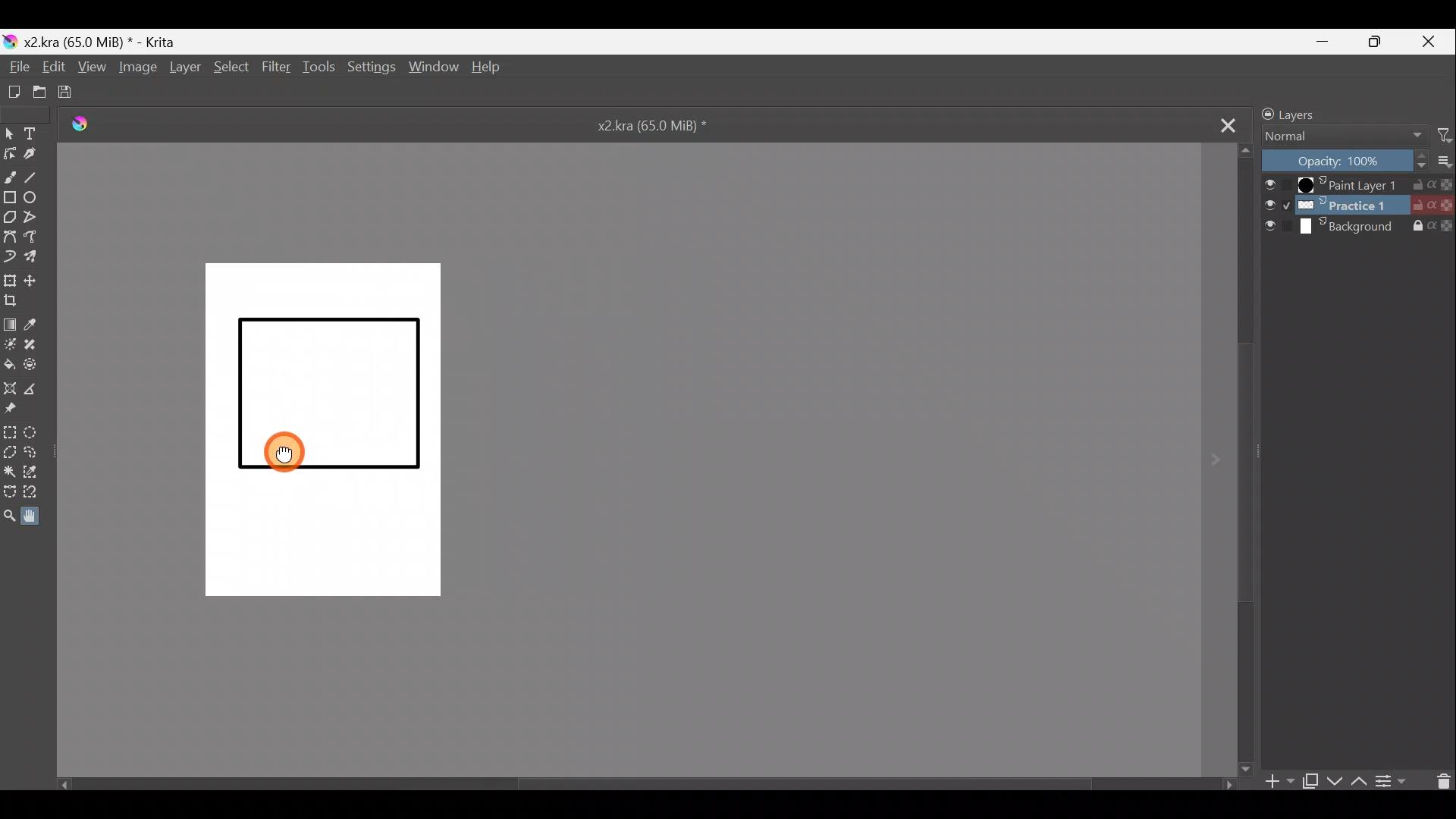 Image resolution: width=1456 pixels, height=819 pixels. What do you see at coordinates (36, 343) in the screenshot?
I see `Smart patch tool` at bounding box center [36, 343].